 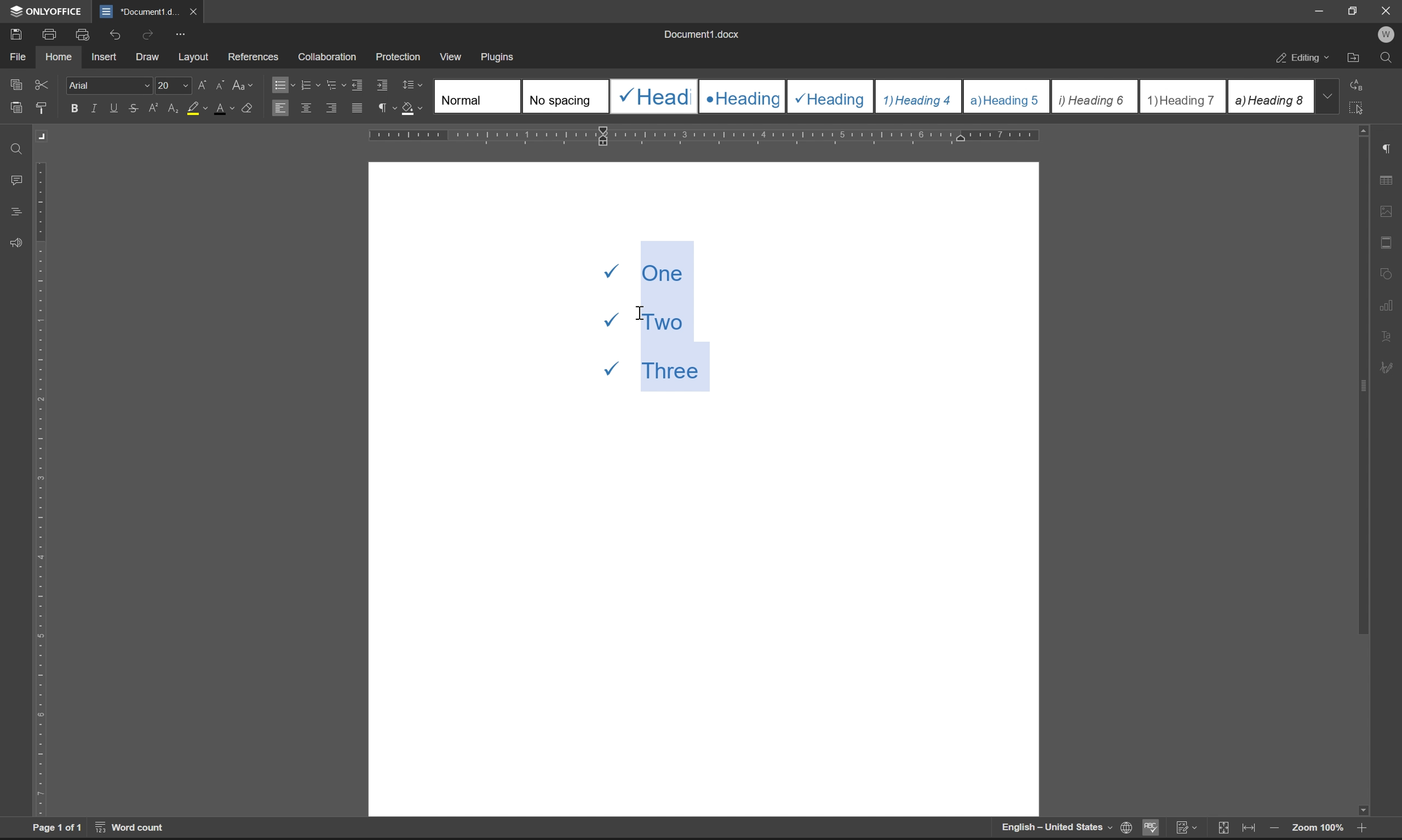 What do you see at coordinates (564, 96) in the screenshot?
I see `No spacing` at bounding box center [564, 96].